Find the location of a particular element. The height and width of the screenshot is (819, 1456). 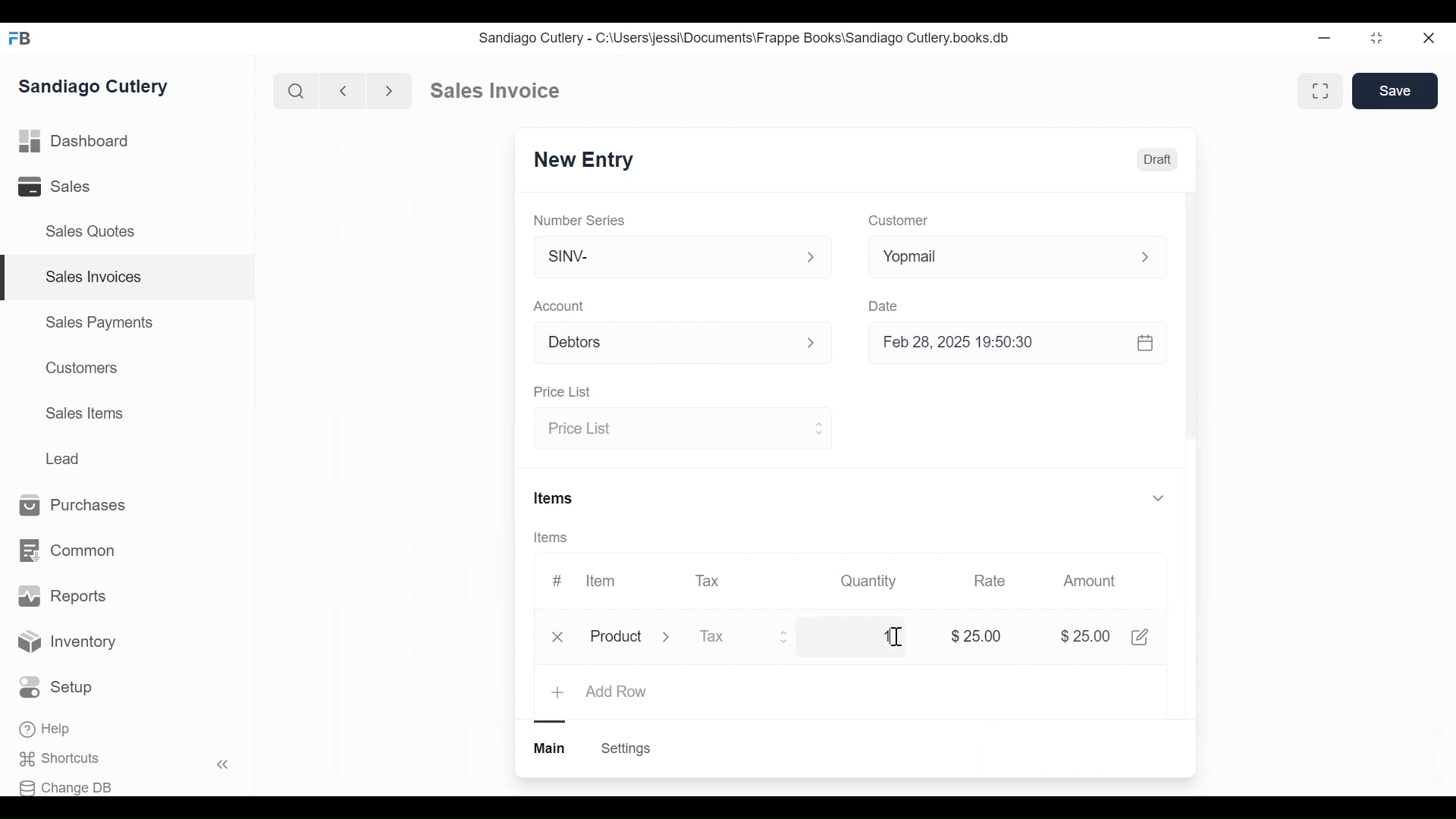

Common is located at coordinates (70, 551).